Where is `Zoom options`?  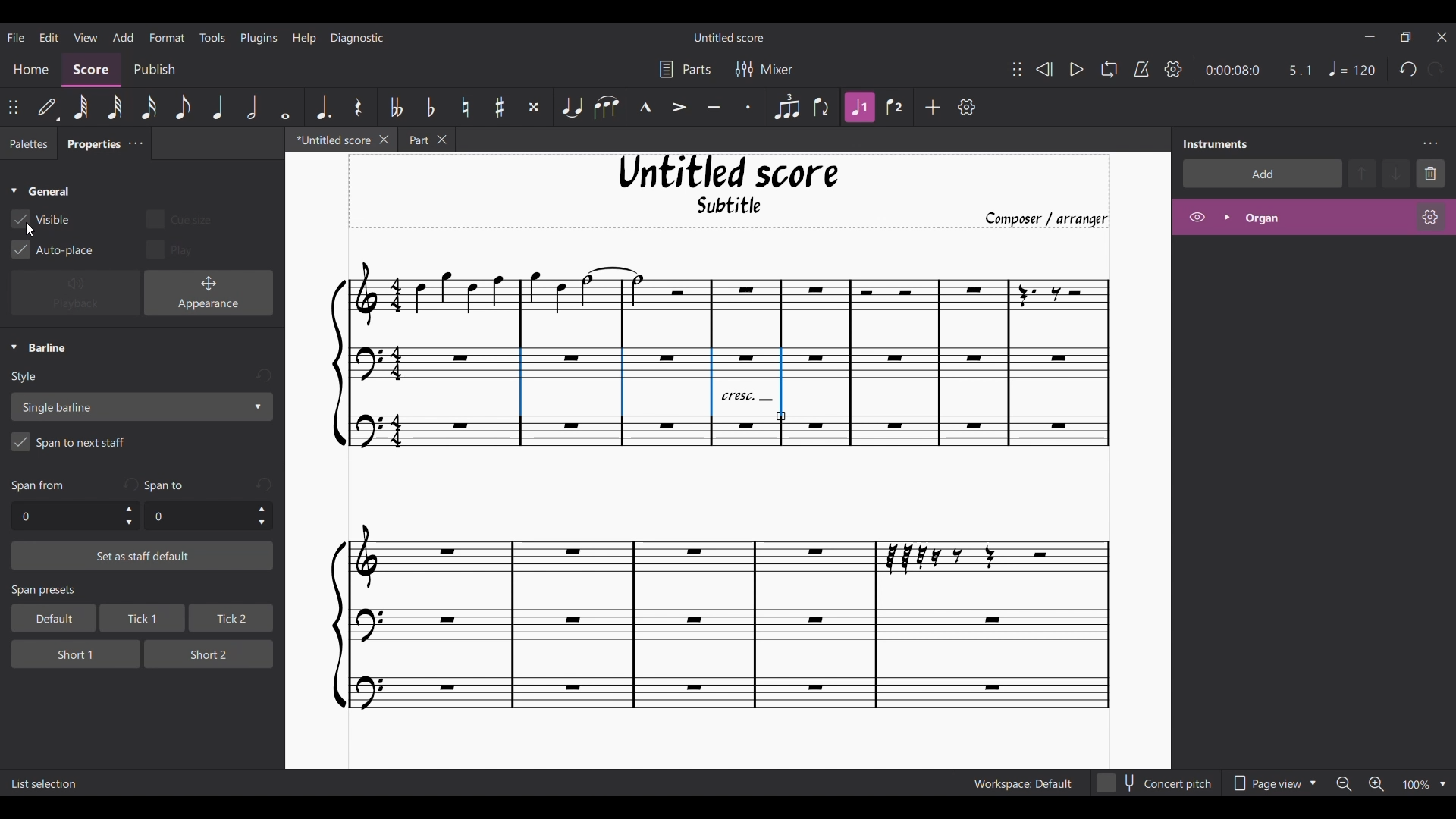 Zoom options is located at coordinates (1443, 784).